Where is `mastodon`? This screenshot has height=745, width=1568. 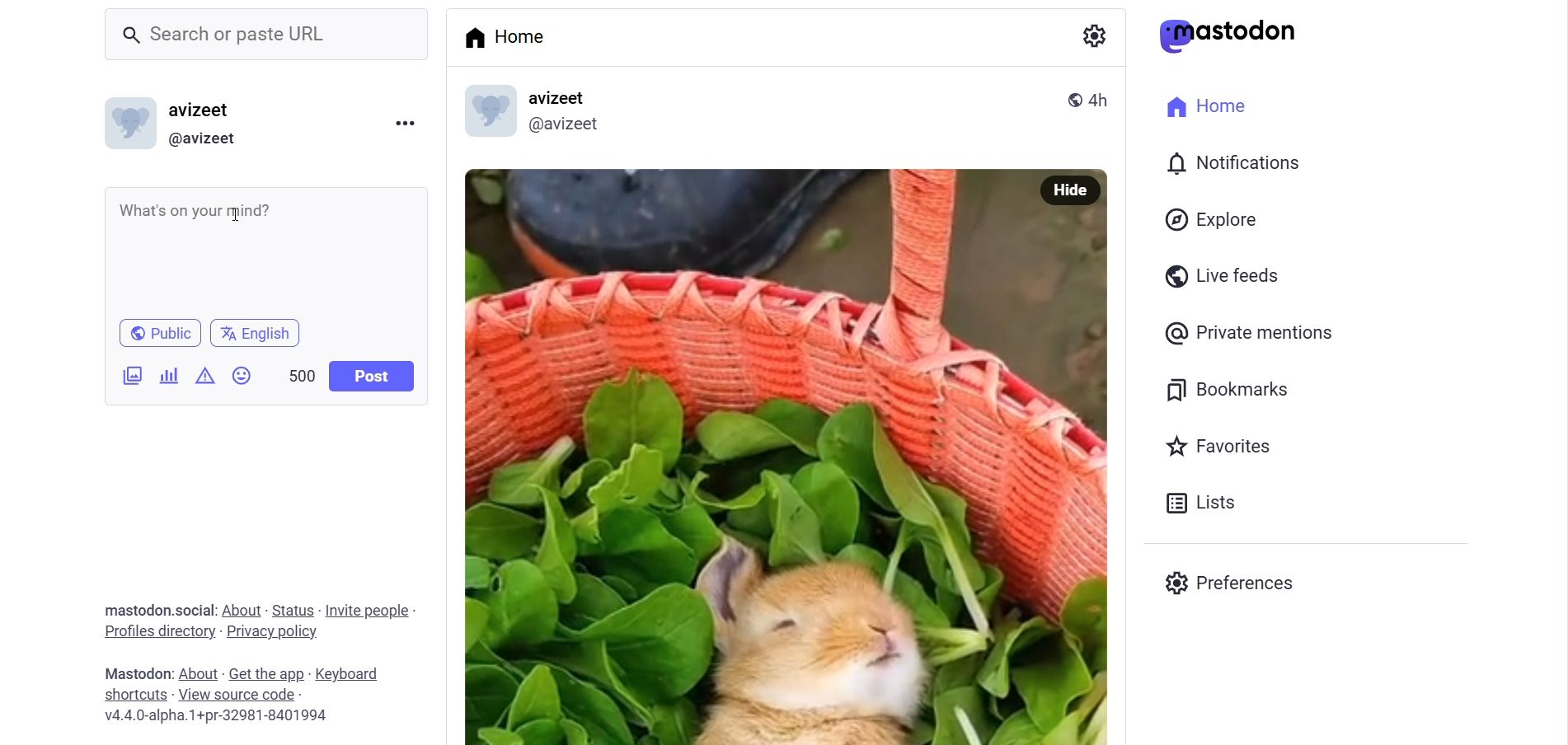 mastodon is located at coordinates (133, 608).